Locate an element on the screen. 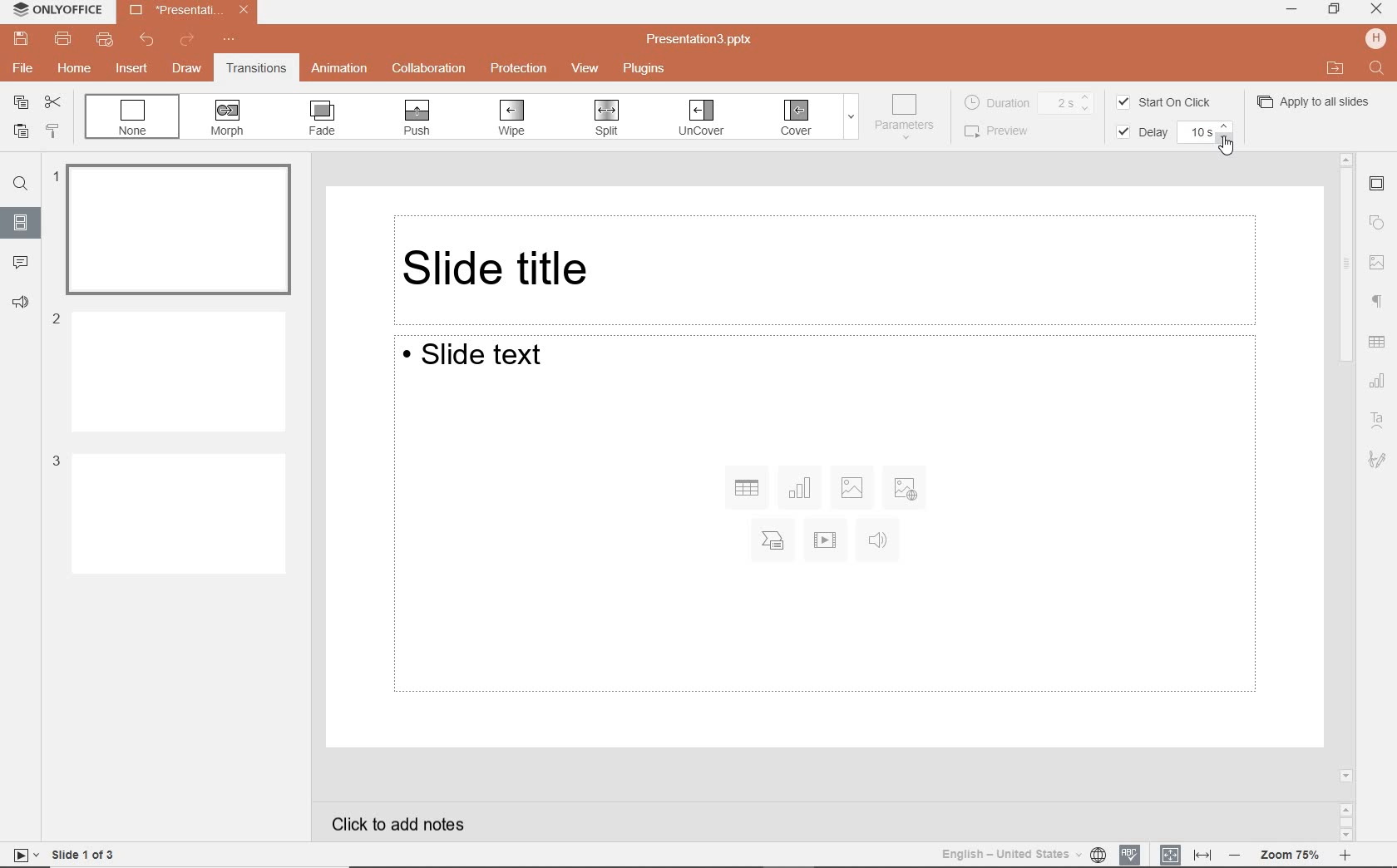 This screenshot has height=868, width=1397. PARAMETERS is located at coordinates (908, 117).